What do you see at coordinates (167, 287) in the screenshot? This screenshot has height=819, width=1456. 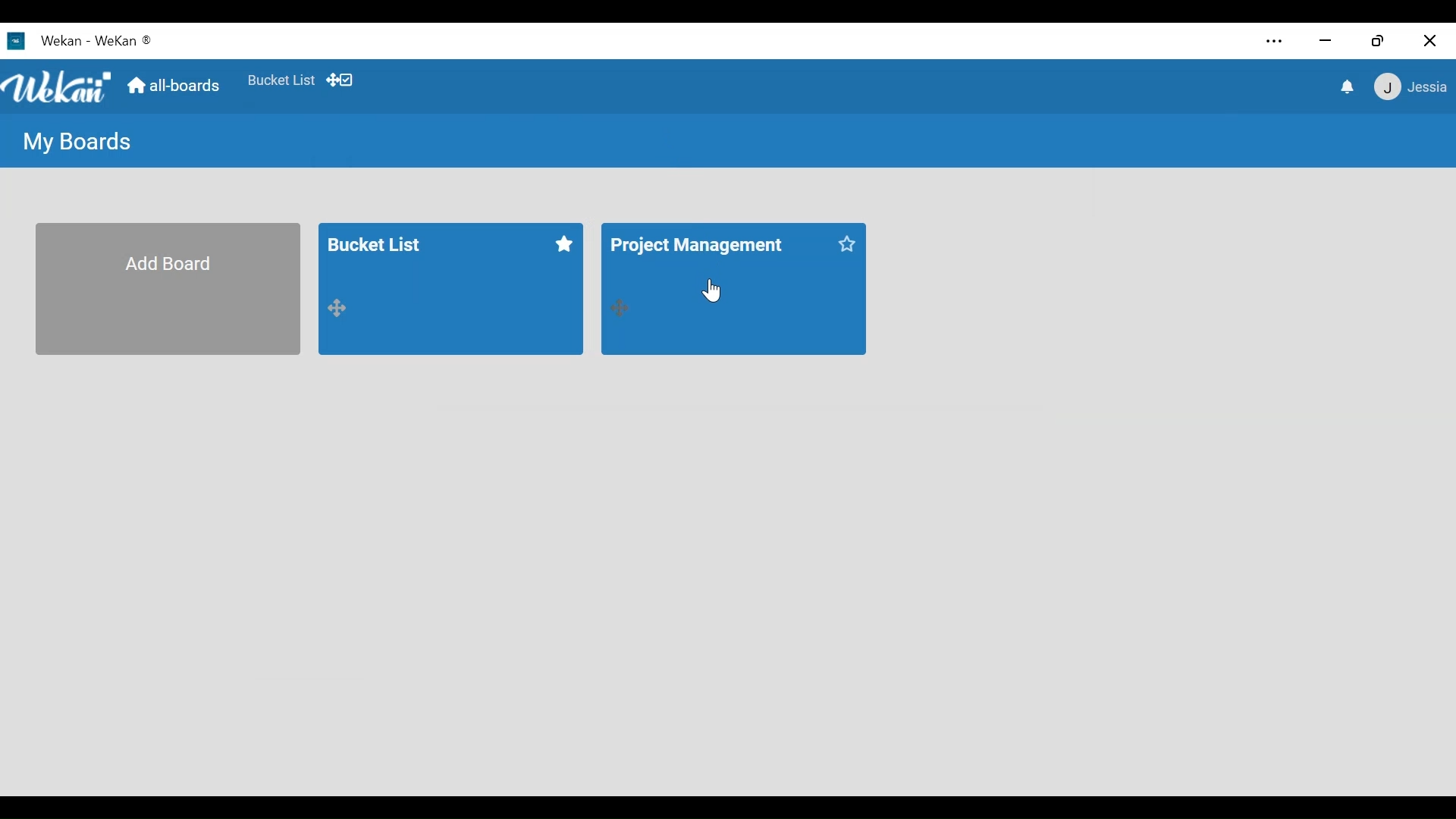 I see `Add Board` at bounding box center [167, 287].